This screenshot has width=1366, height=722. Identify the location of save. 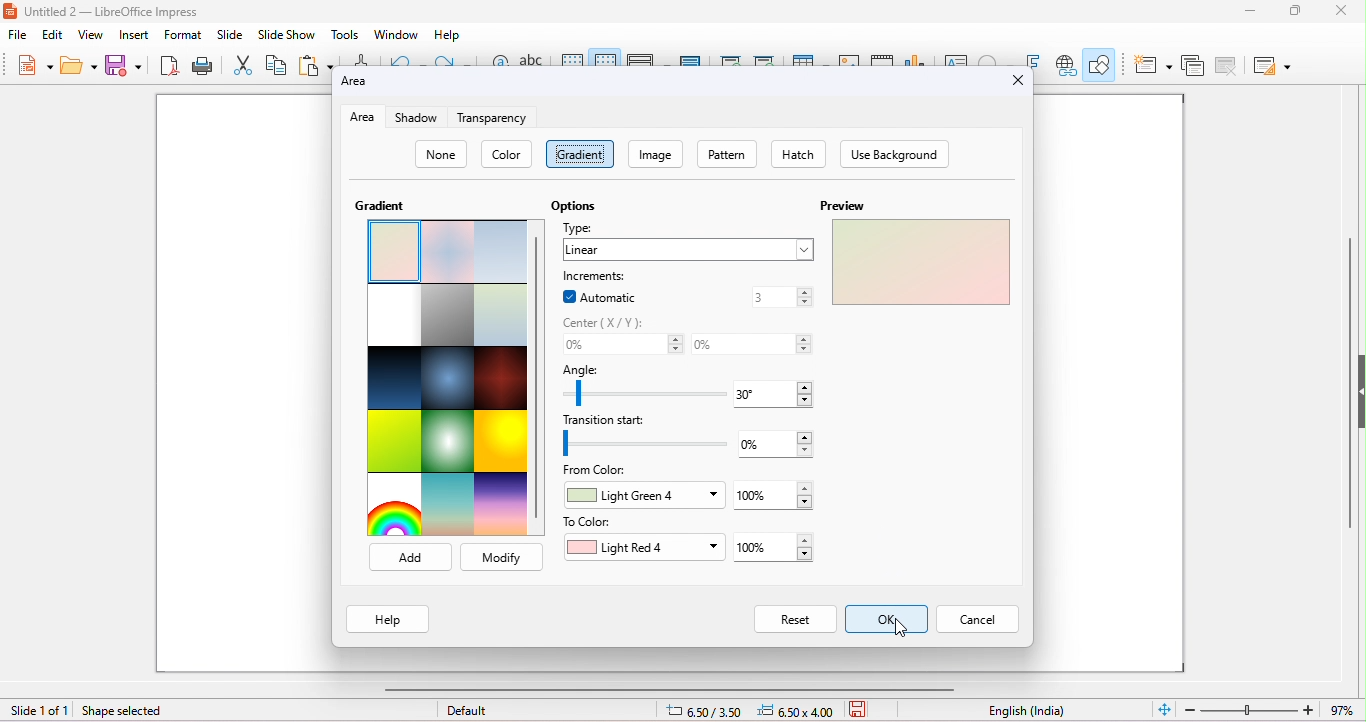
(121, 64).